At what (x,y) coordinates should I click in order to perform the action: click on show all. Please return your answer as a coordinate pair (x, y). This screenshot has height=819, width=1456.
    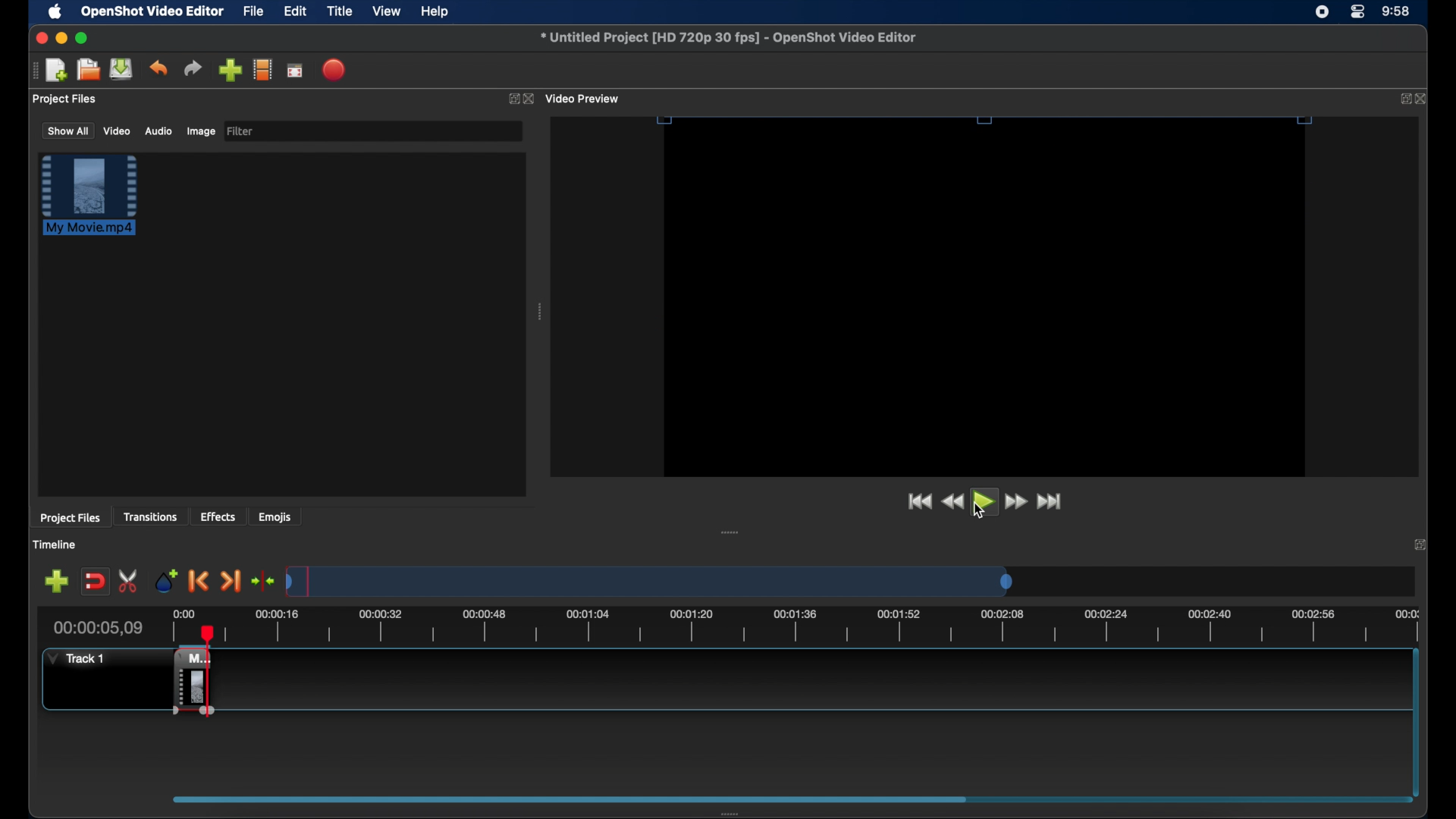
    Looking at the image, I should click on (67, 130).